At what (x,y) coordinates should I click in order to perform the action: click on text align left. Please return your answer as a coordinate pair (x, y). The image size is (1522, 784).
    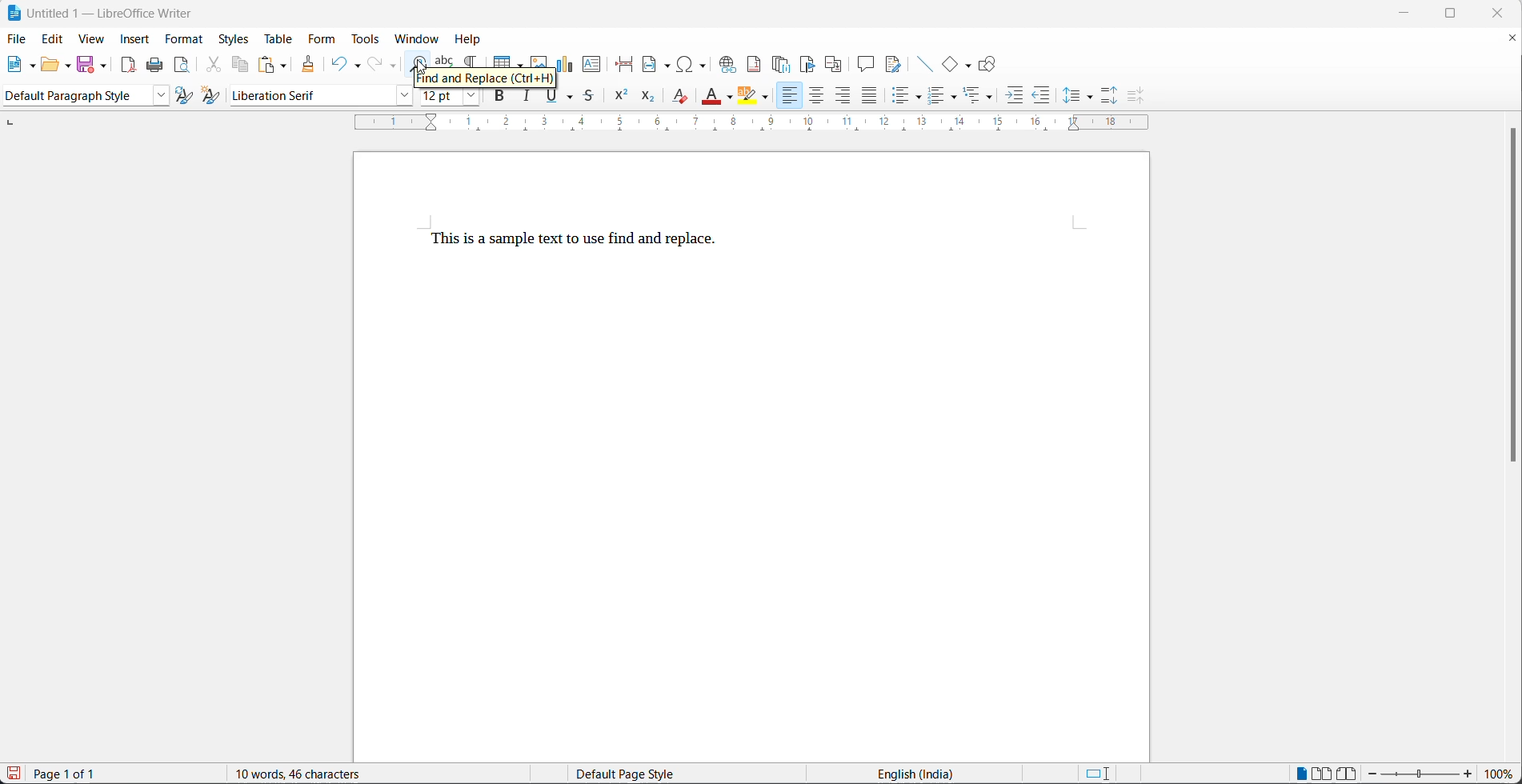
    Looking at the image, I should click on (788, 96).